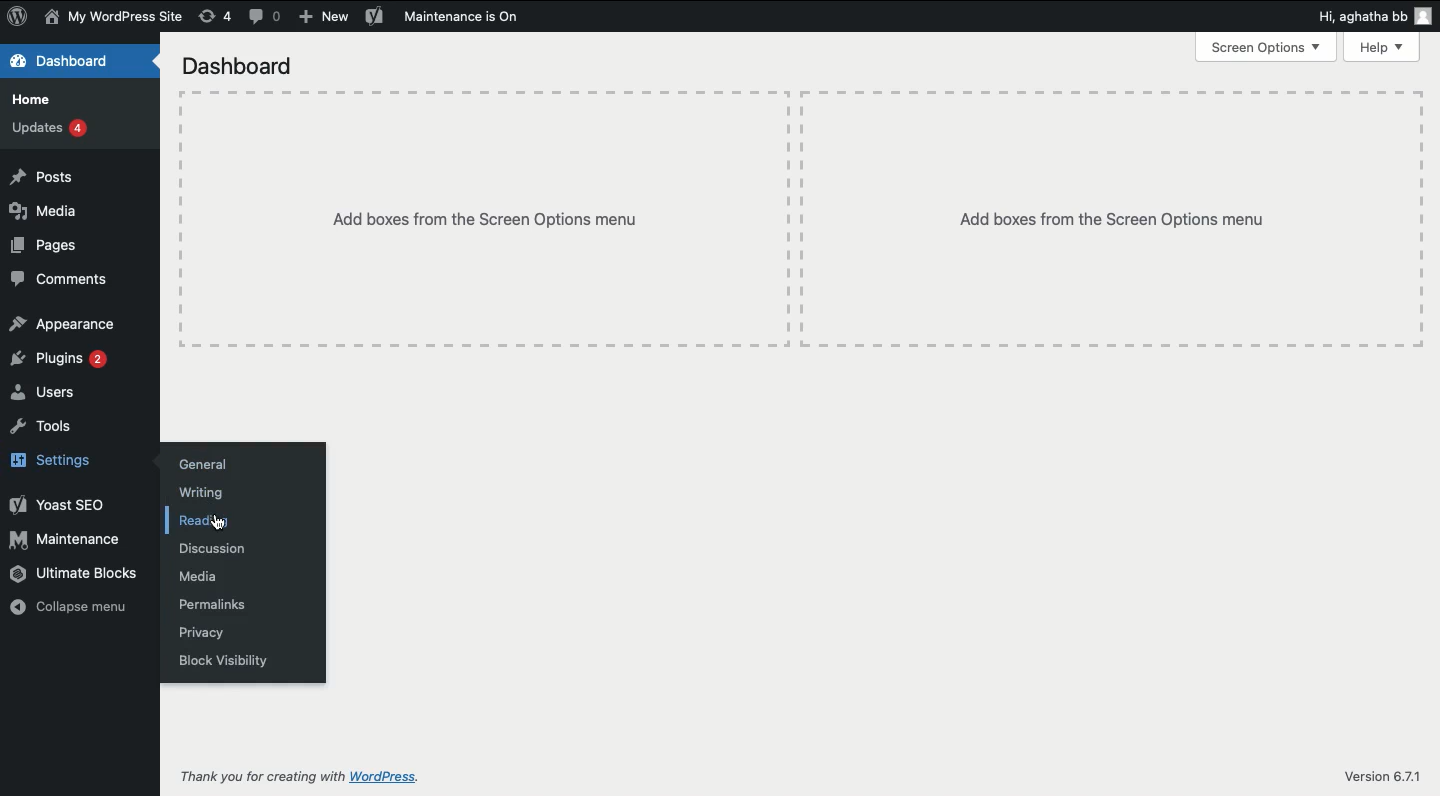 Image resolution: width=1440 pixels, height=796 pixels. What do you see at coordinates (200, 465) in the screenshot?
I see `general` at bounding box center [200, 465].